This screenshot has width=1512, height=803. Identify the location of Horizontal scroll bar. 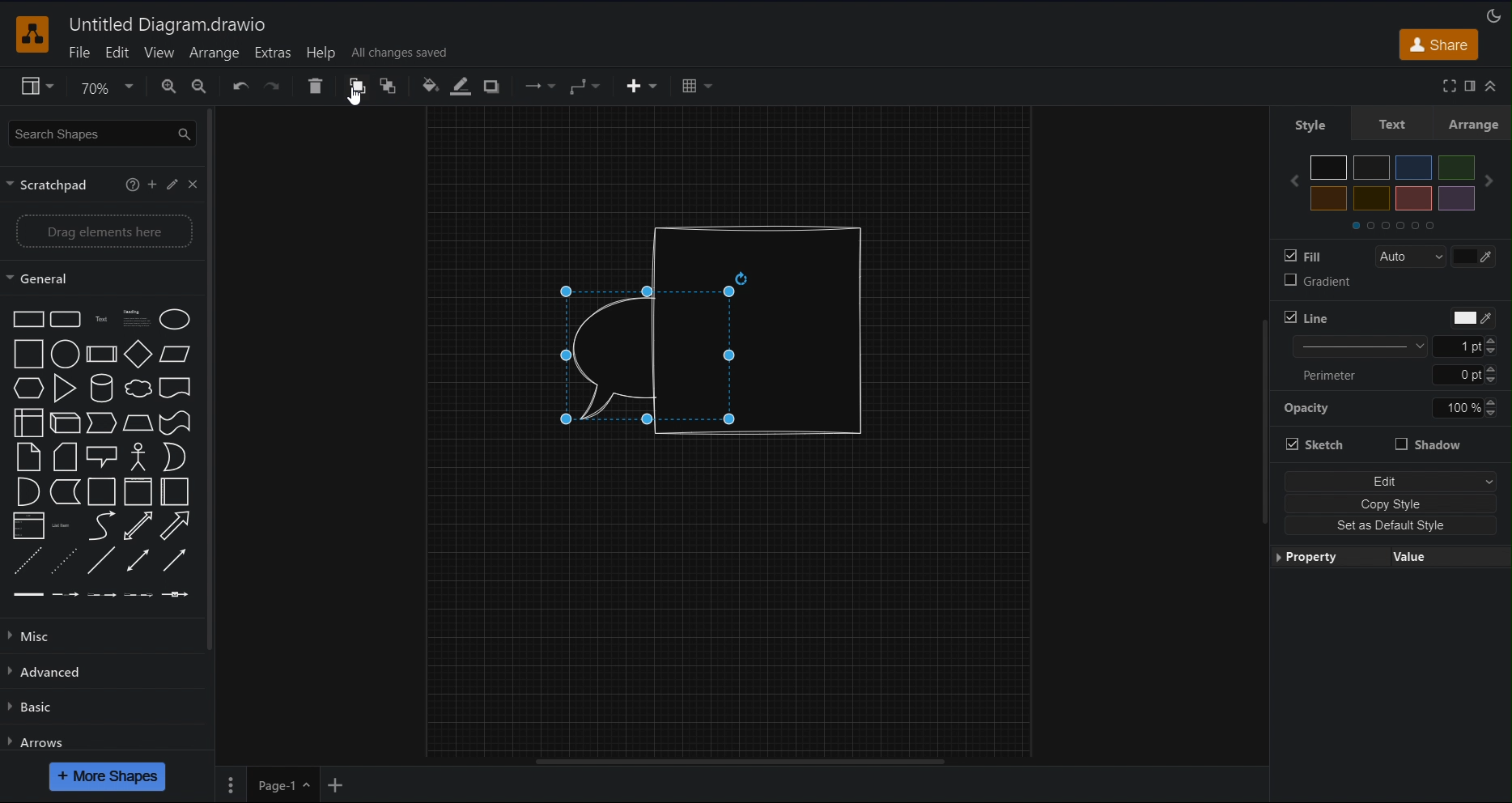
(741, 762).